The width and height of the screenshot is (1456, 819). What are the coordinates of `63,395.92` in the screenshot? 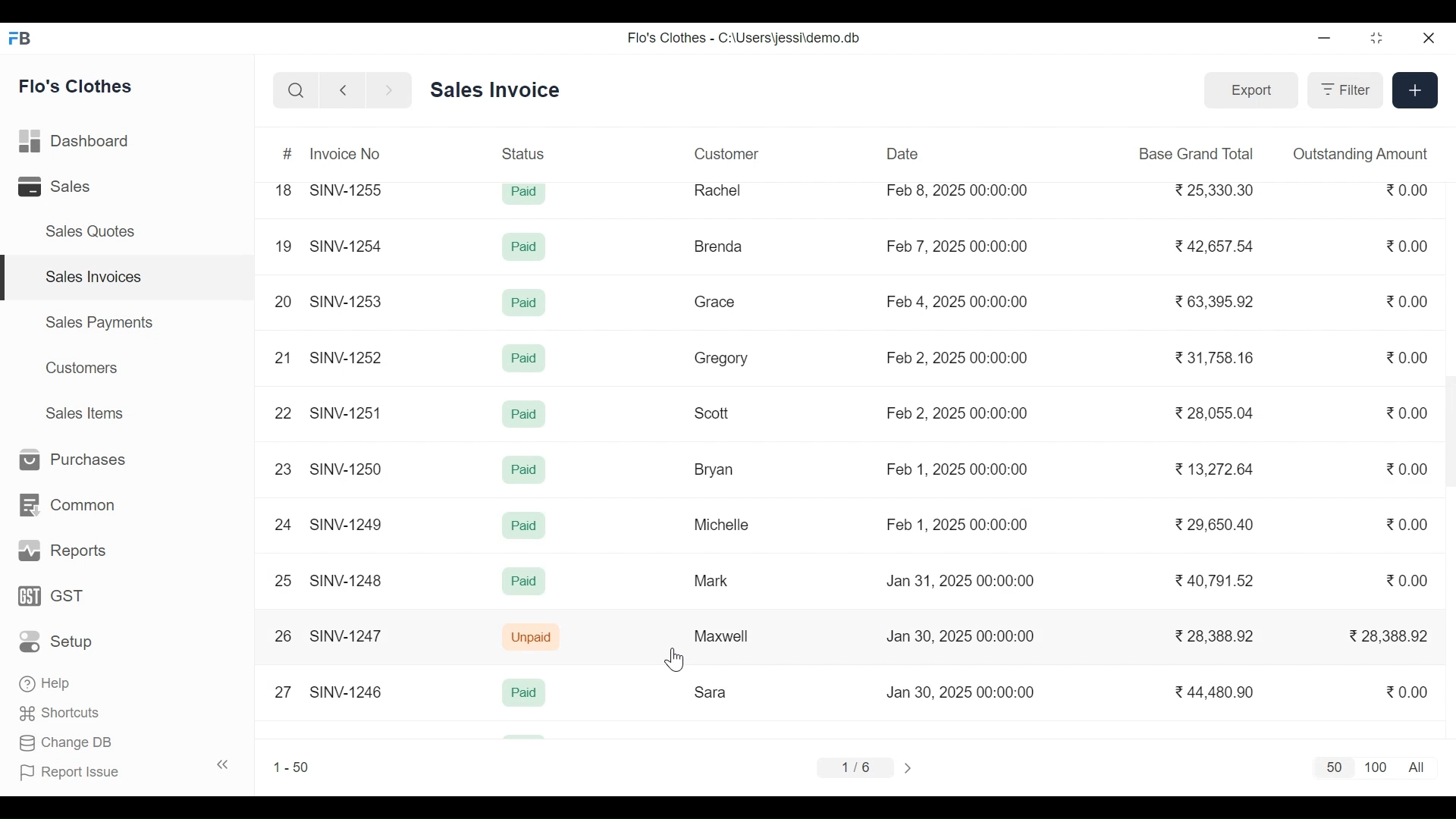 It's located at (1217, 301).